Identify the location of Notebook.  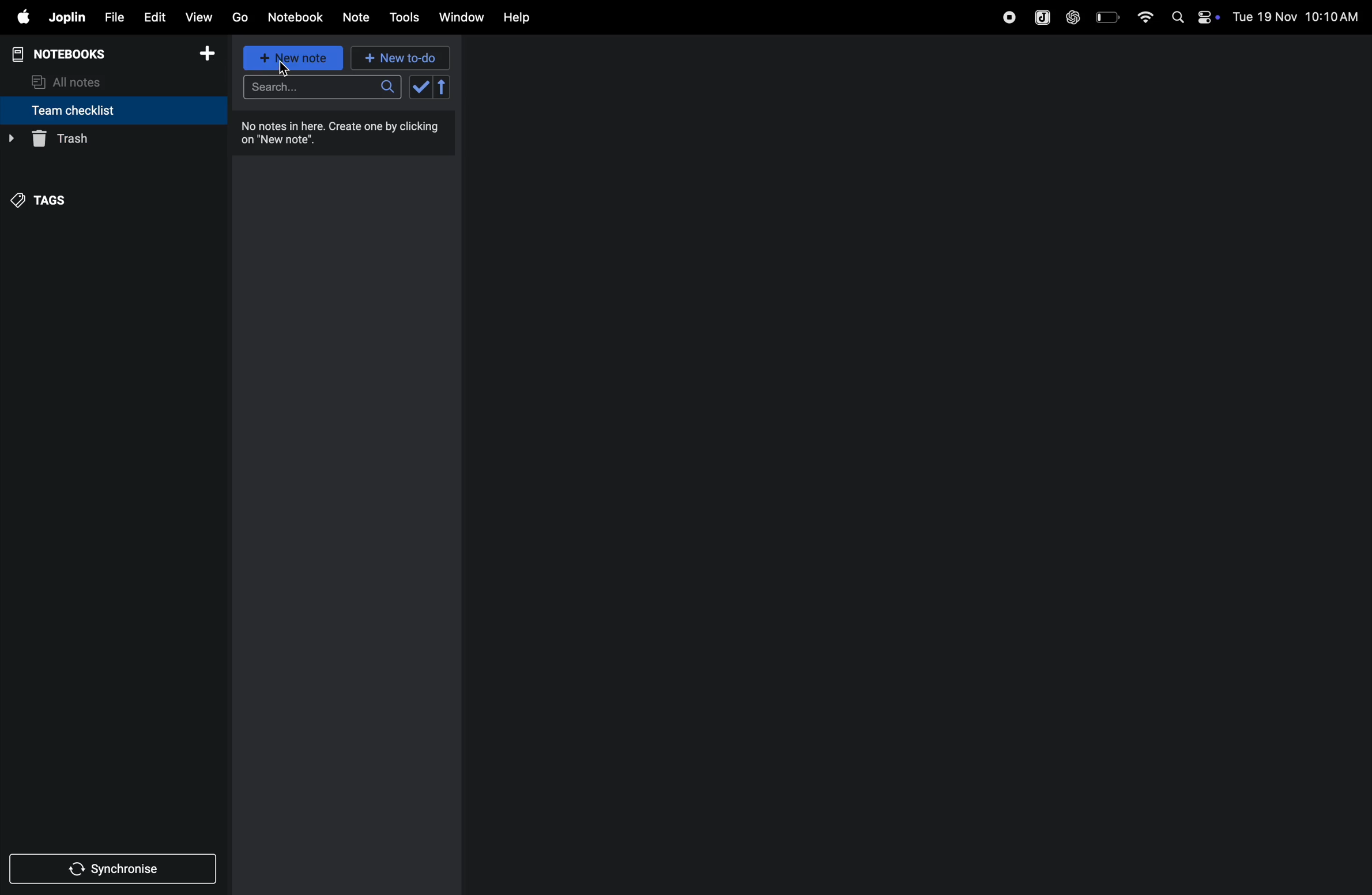
(299, 17).